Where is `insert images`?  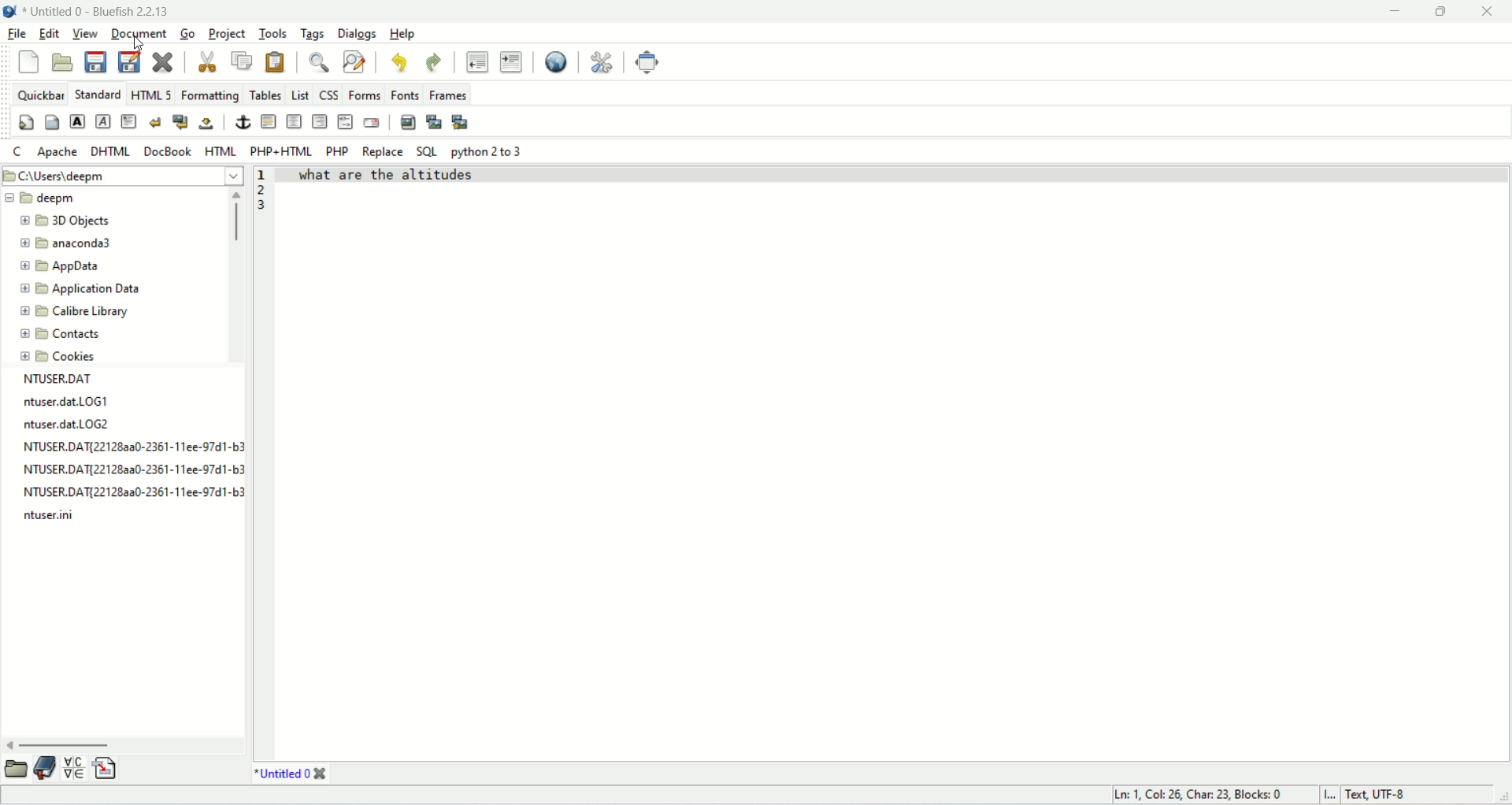
insert images is located at coordinates (408, 121).